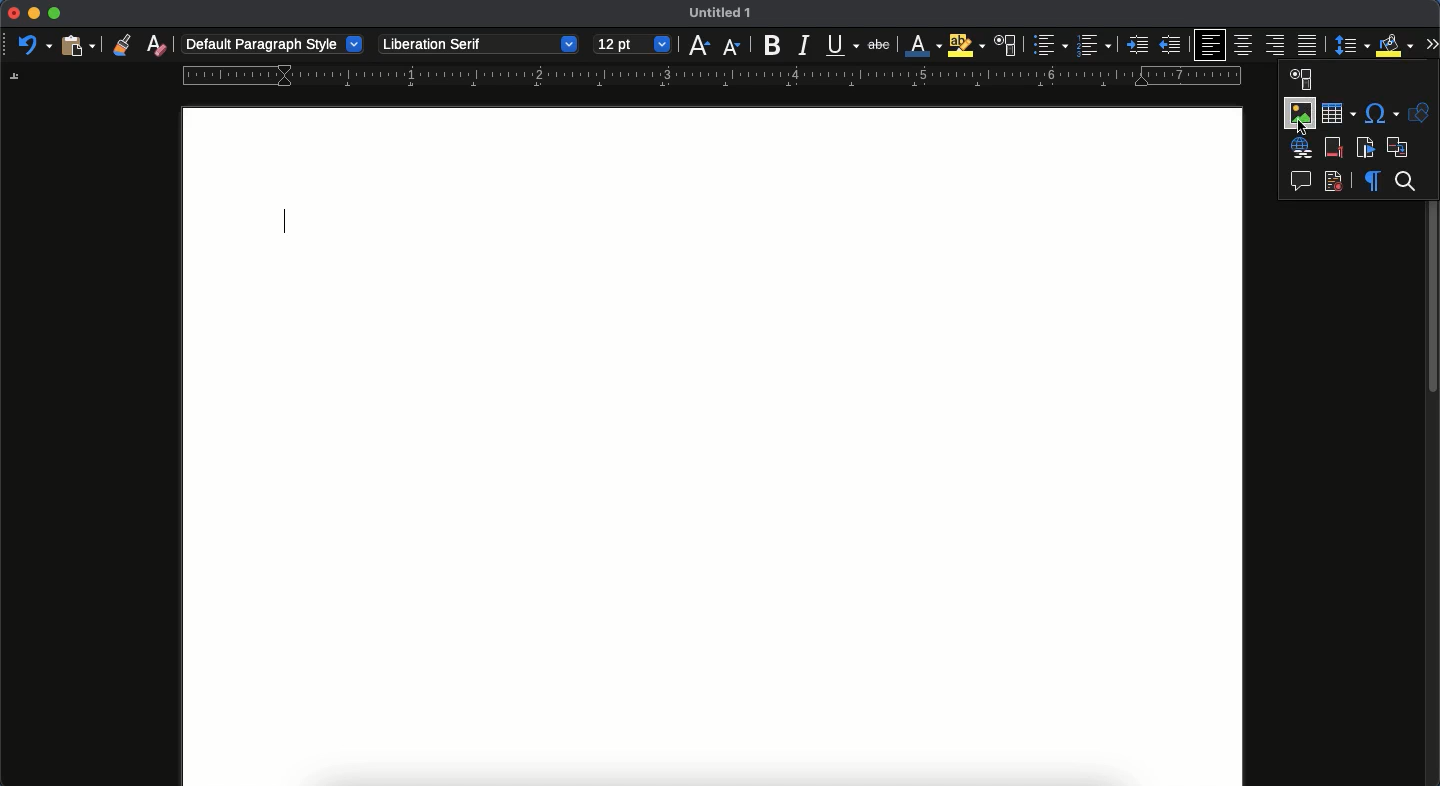 This screenshot has height=786, width=1440. What do you see at coordinates (1423, 111) in the screenshot?
I see `shapes` at bounding box center [1423, 111].